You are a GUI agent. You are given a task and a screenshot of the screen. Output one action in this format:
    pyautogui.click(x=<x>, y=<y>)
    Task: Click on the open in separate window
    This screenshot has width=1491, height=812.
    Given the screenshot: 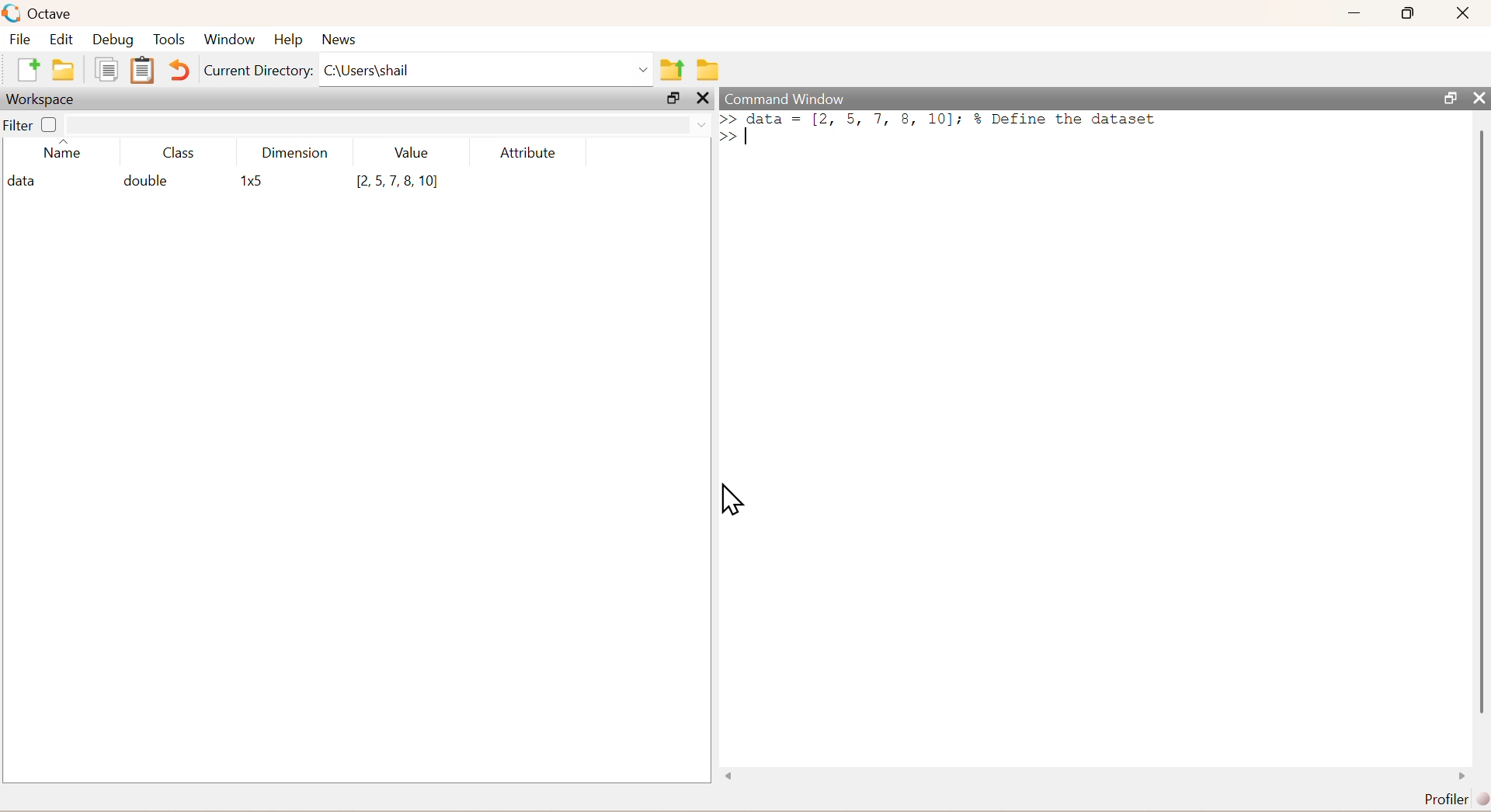 What is the action you would take?
    pyautogui.click(x=1451, y=98)
    